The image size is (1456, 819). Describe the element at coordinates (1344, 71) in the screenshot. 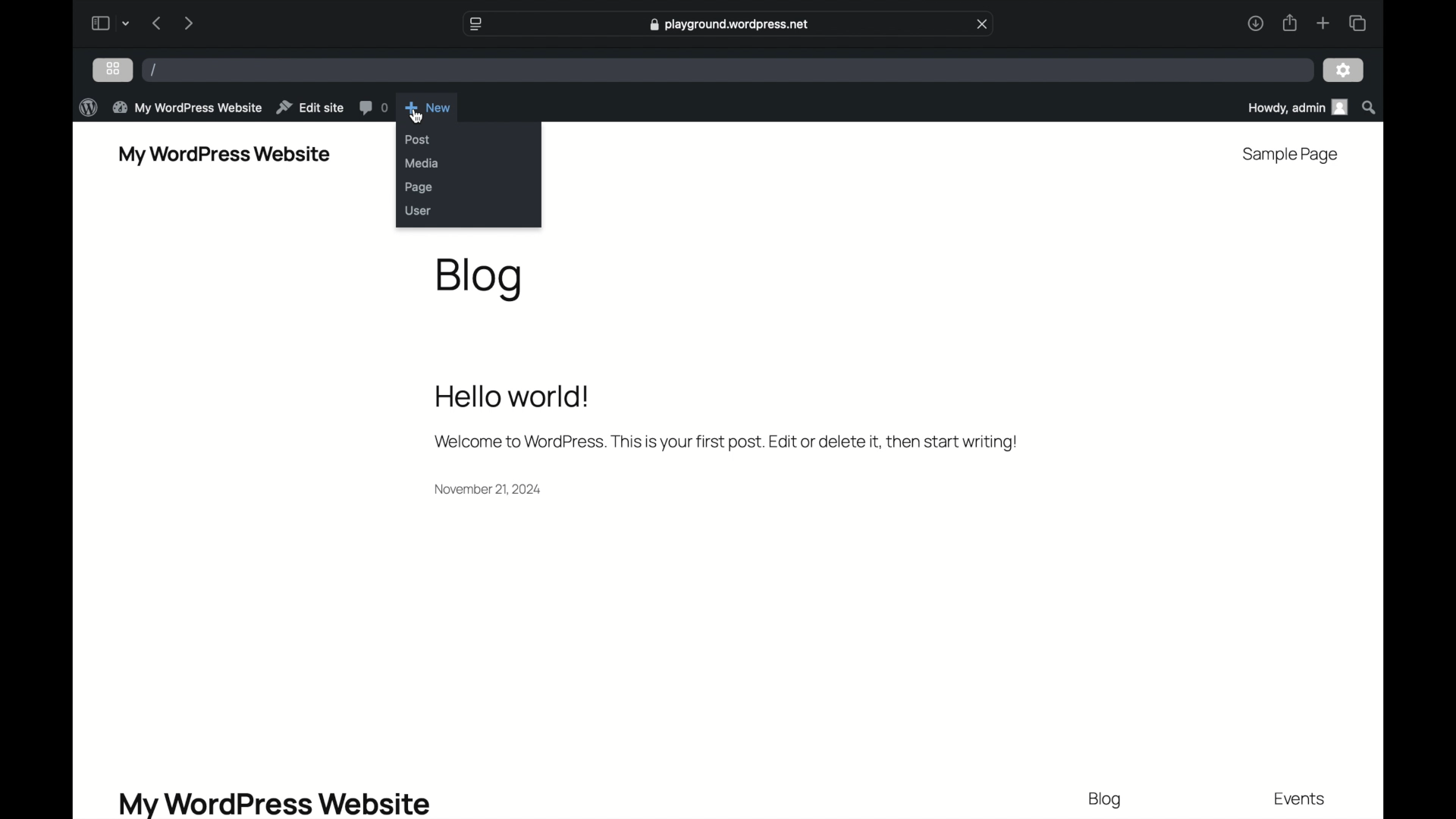

I see `settings` at that location.